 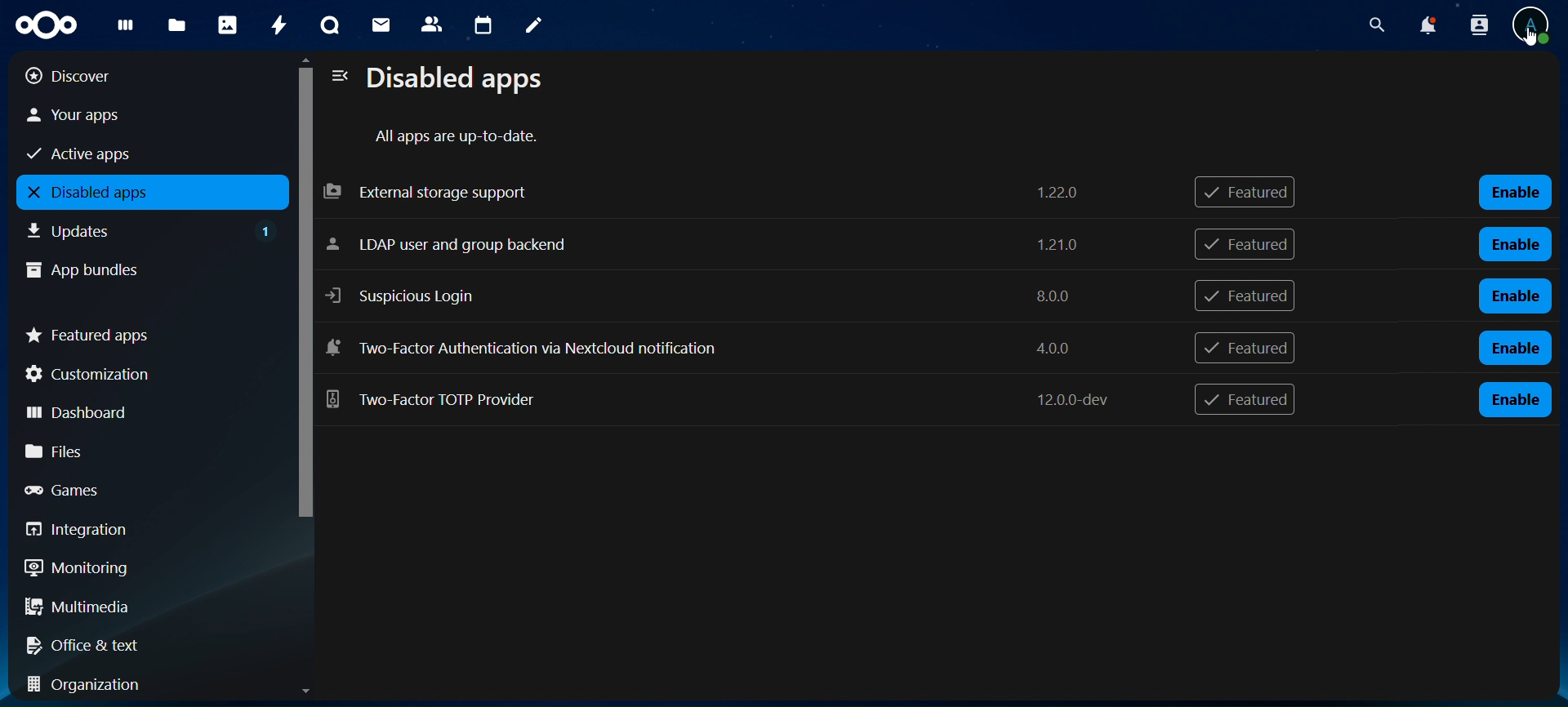 What do you see at coordinates (136, 268) in the screenshot?
I see `app bundles` at bounding box center [136, 268].